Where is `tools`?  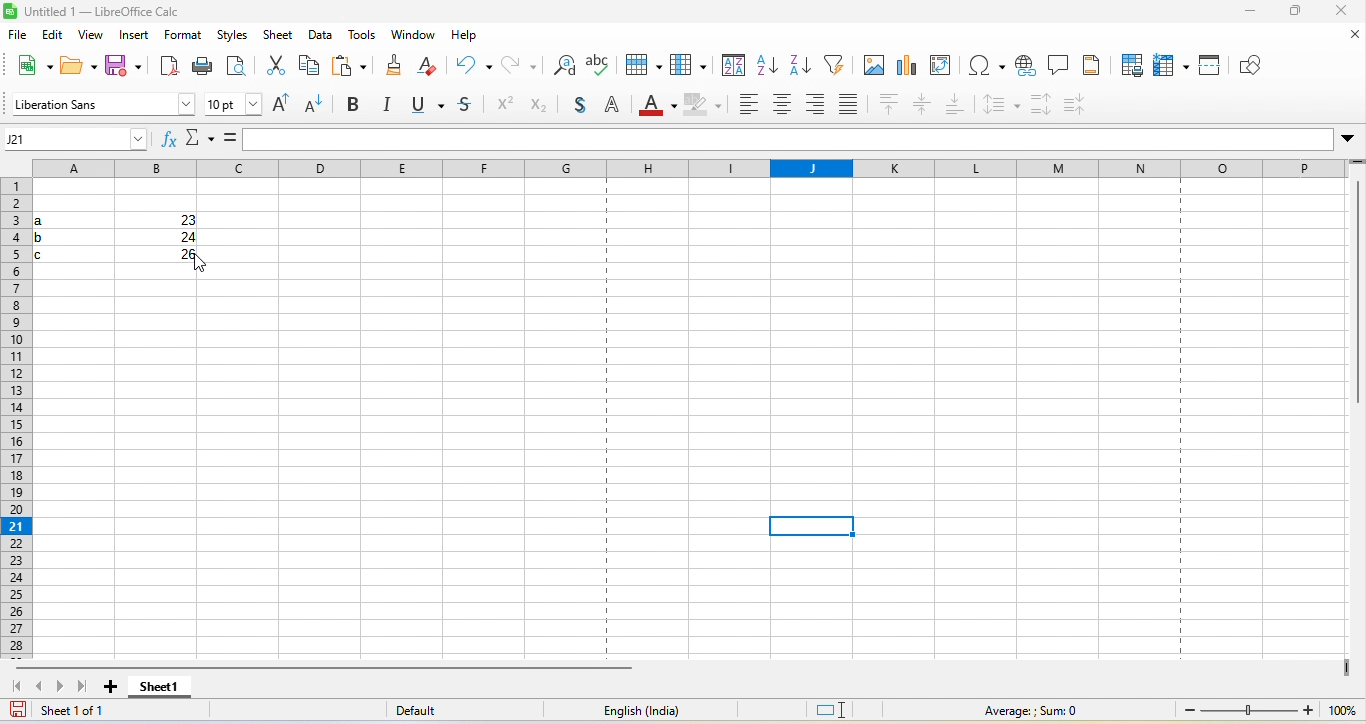 tools is located at coordinates (359, 36).